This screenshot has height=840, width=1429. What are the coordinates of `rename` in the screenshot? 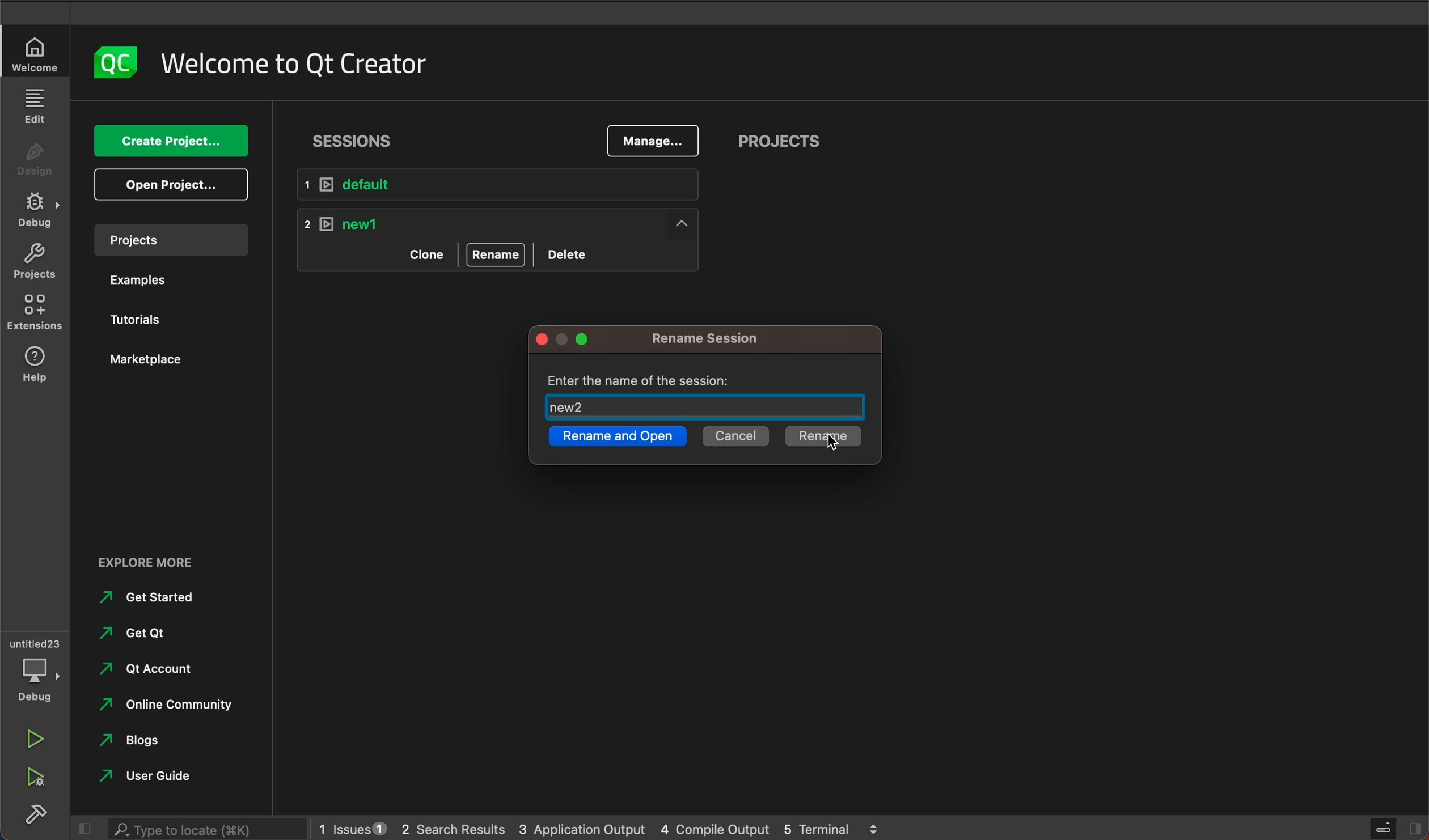 It's located at (496, 254).